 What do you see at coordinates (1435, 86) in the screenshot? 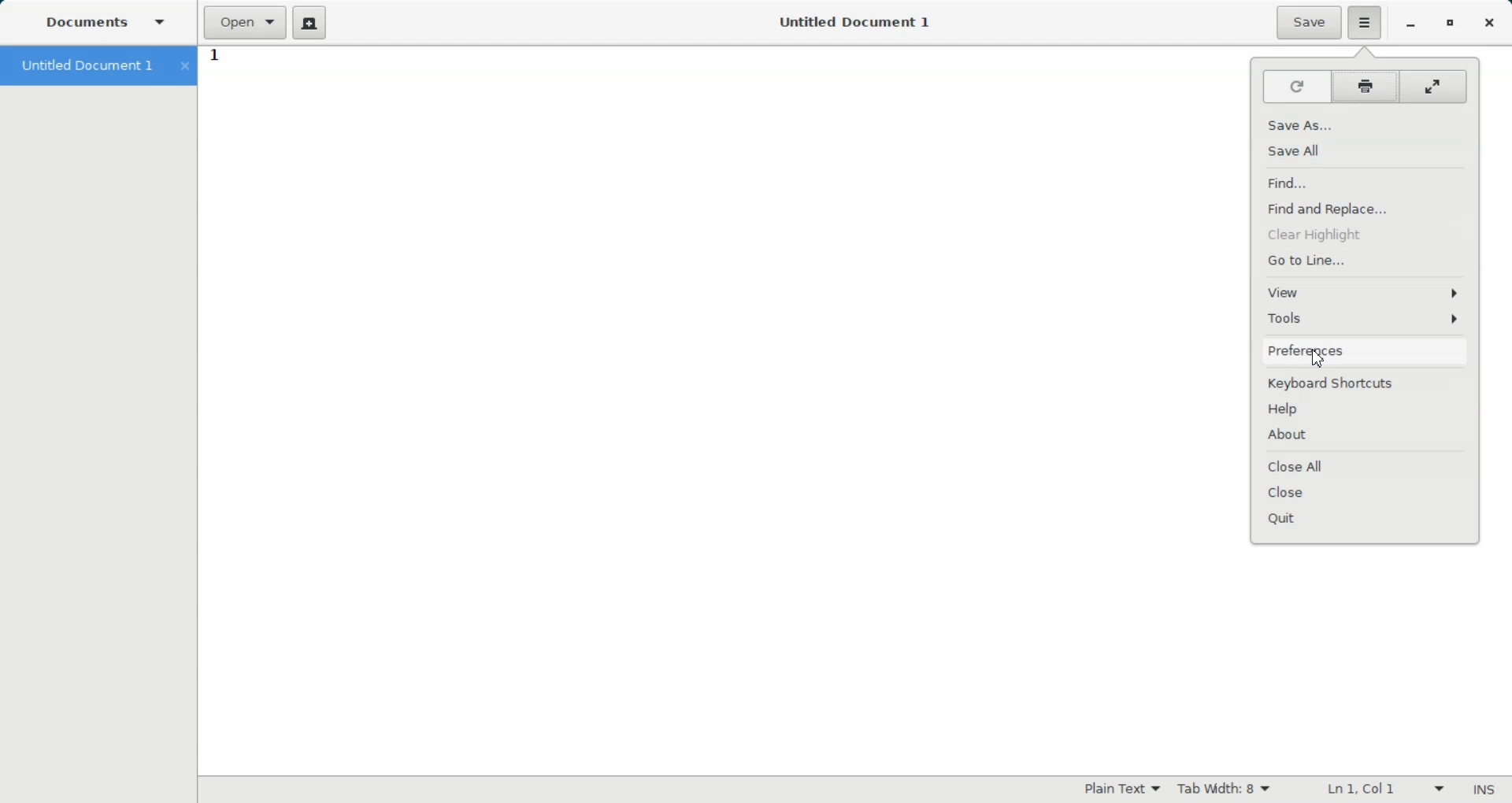
I see `Full screen` at bounding box center [1435, 86].